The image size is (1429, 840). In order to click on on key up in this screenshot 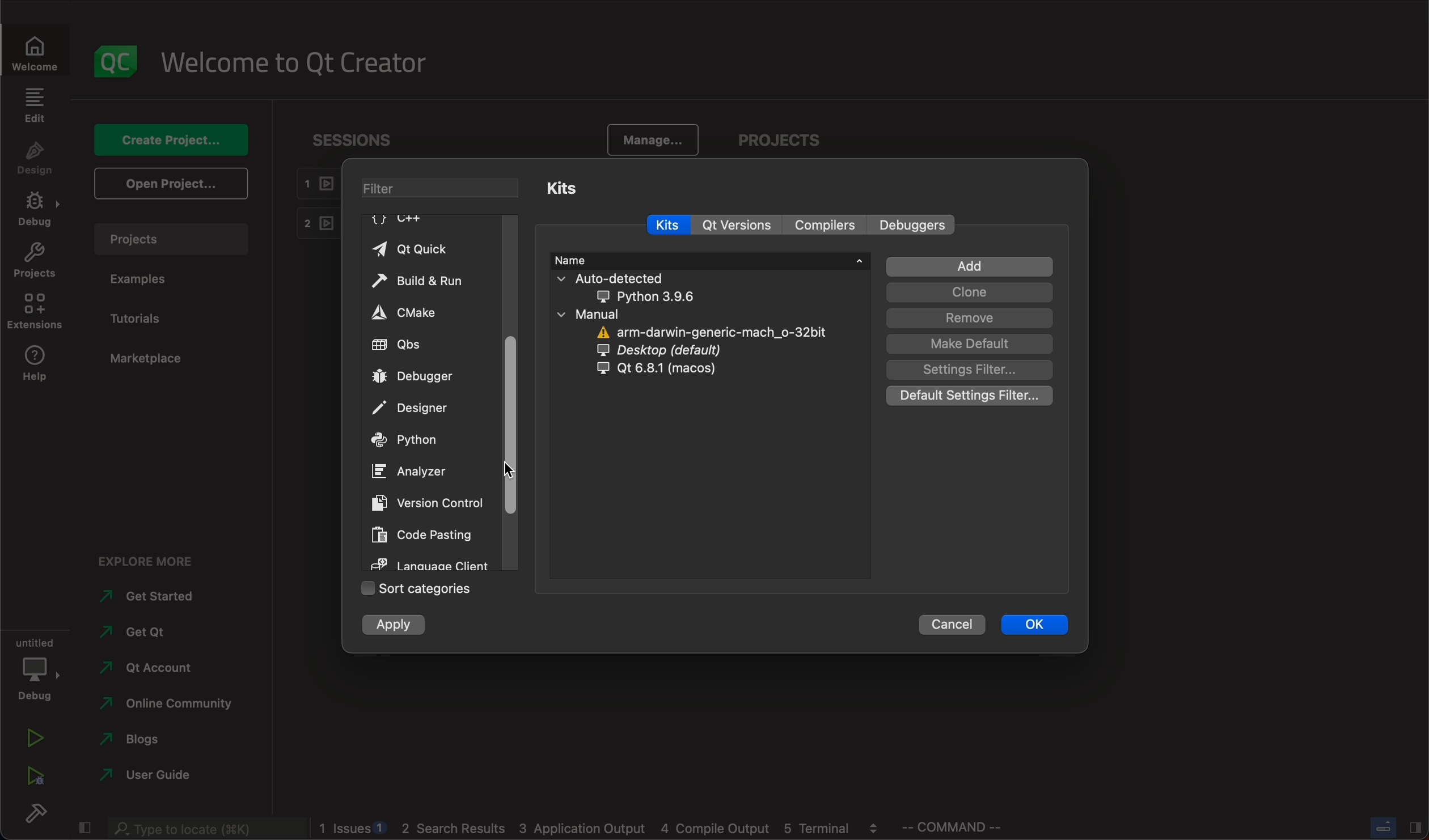, I will do `click(512, 469)`.